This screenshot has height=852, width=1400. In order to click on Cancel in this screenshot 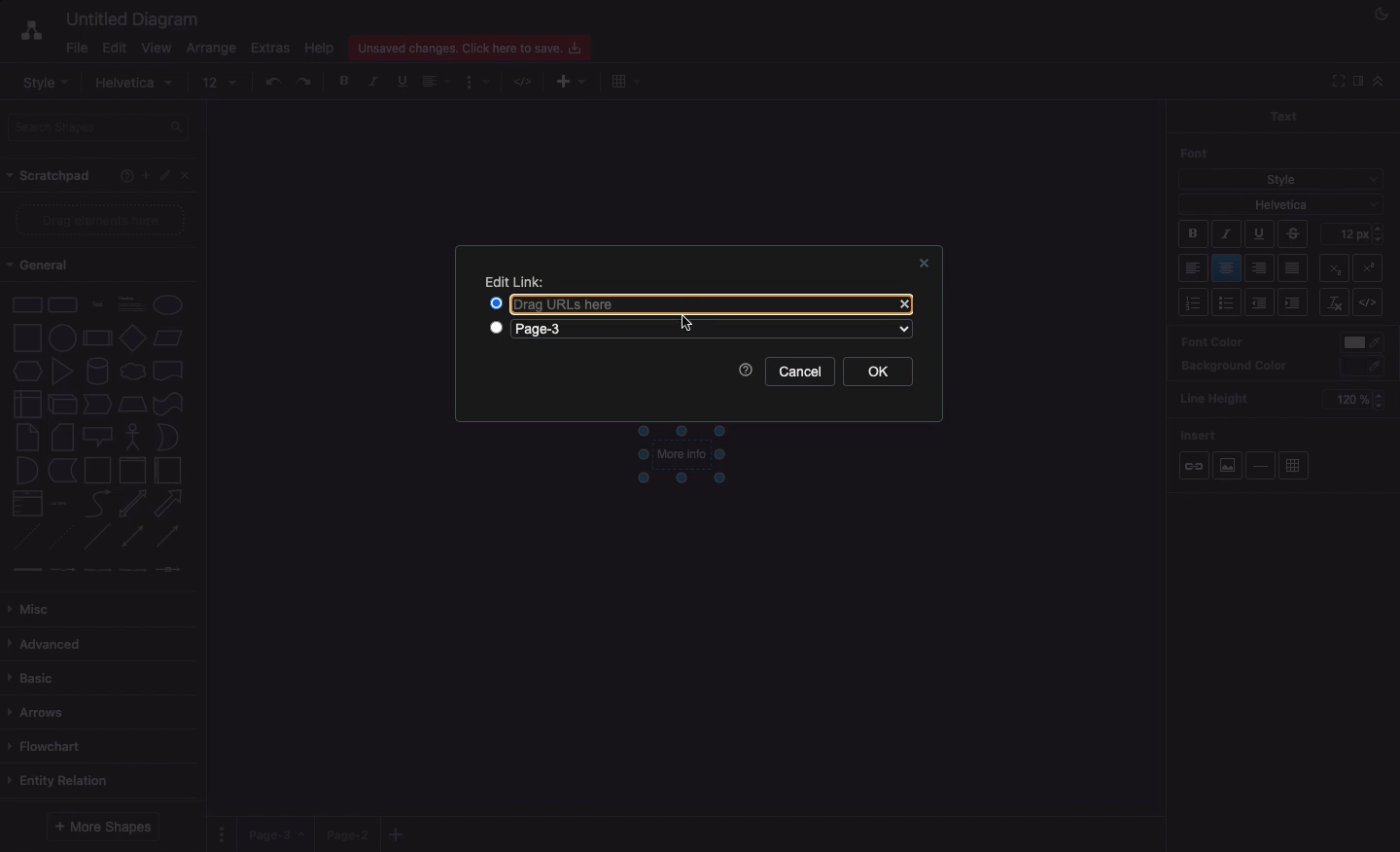, I will do `click(800, 372)`.